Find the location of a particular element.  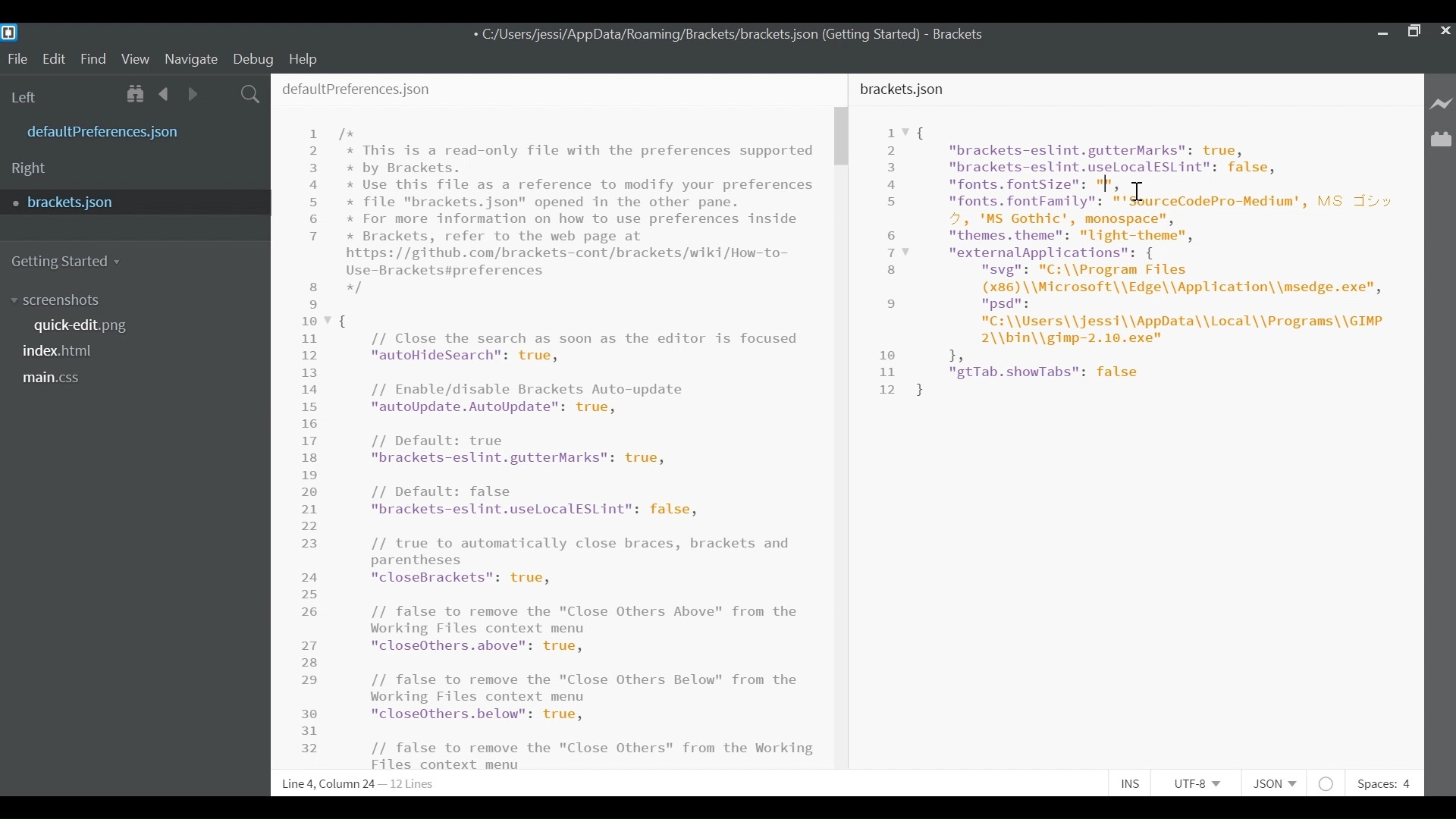

Manage Extensions is located at coordinates (1441, 139).